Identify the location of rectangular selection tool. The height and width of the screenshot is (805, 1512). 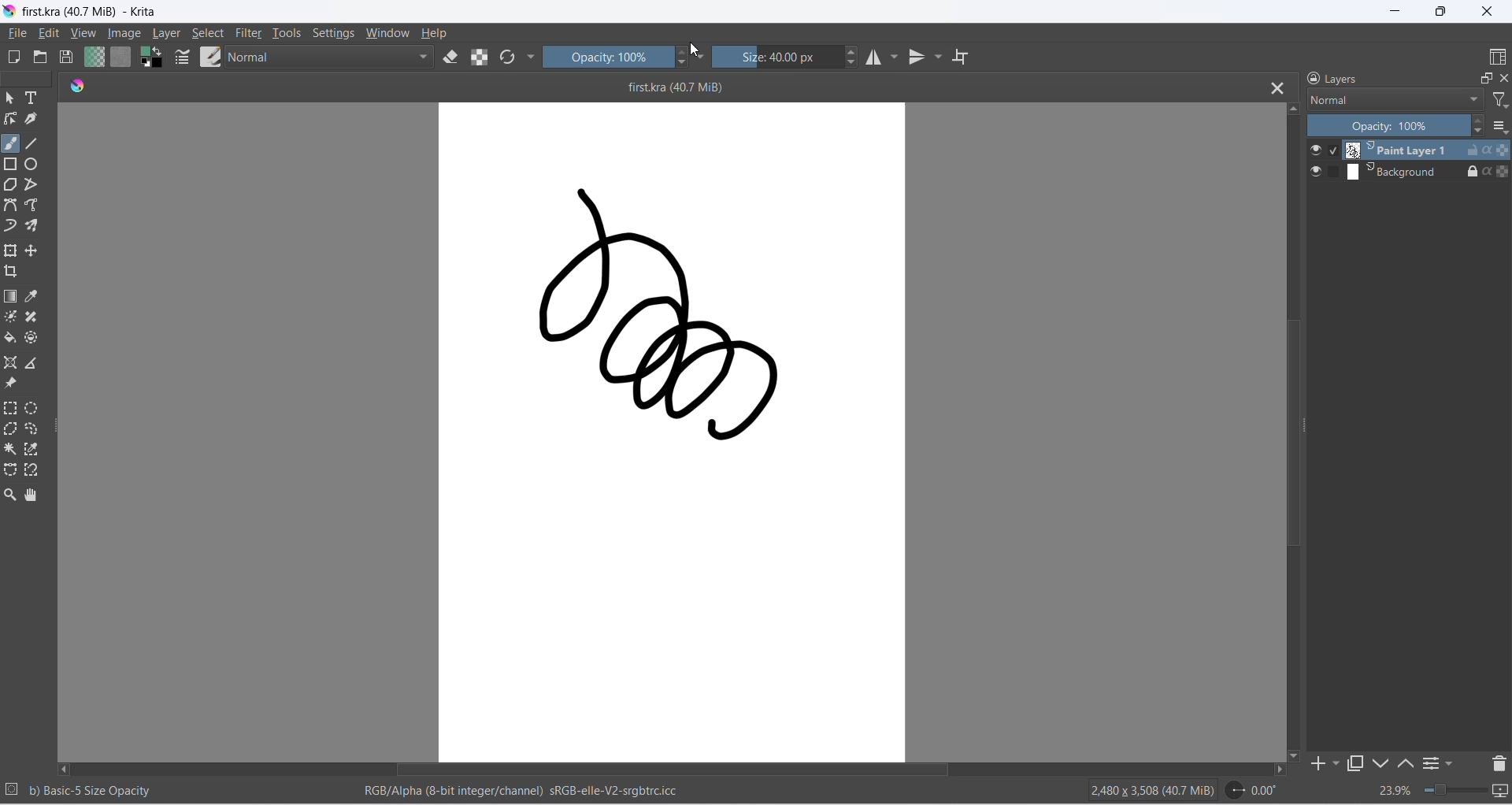
(10, 408).